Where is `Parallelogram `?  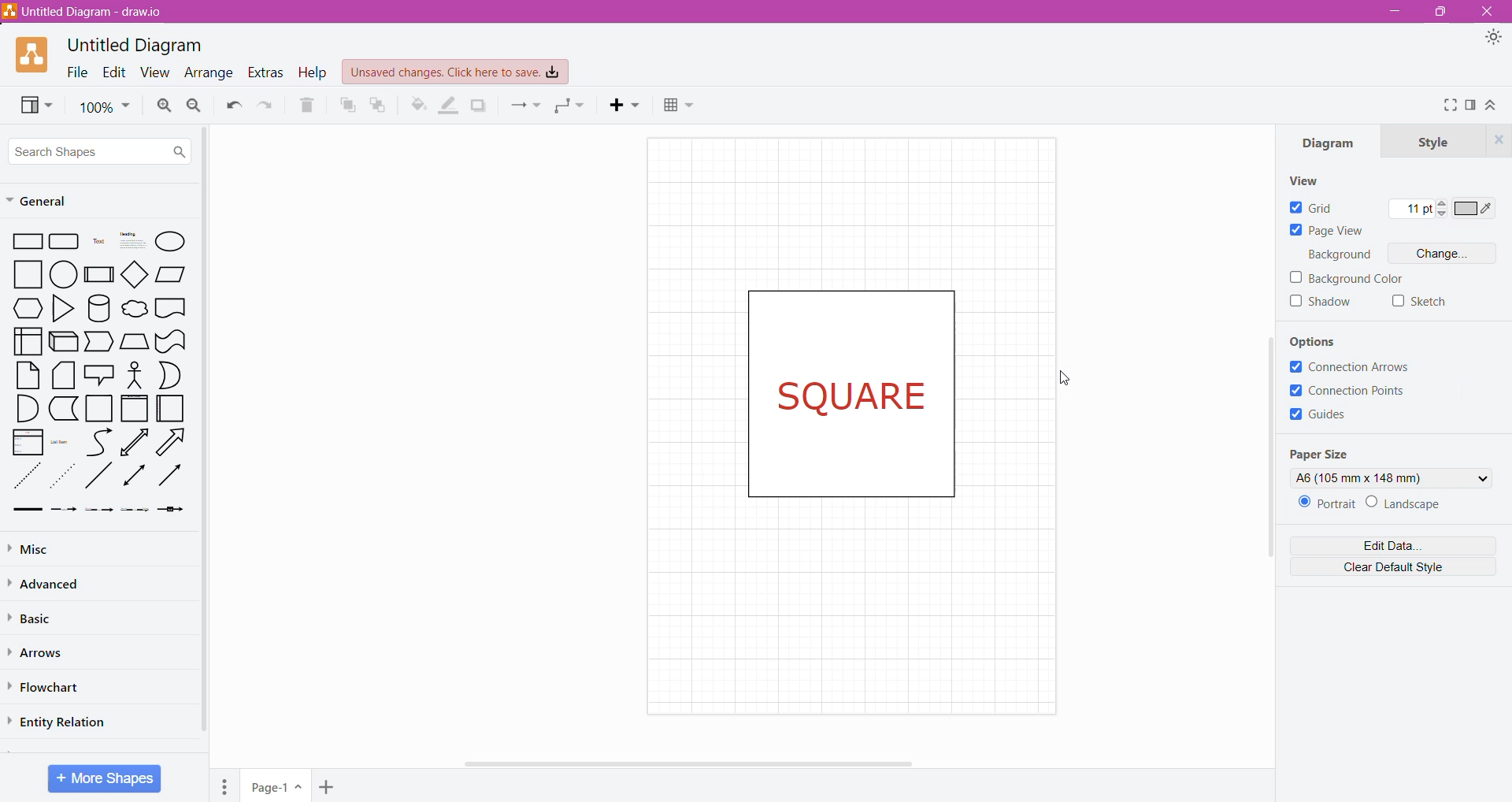
Parallelogram  is located at coordinates (171, 273).